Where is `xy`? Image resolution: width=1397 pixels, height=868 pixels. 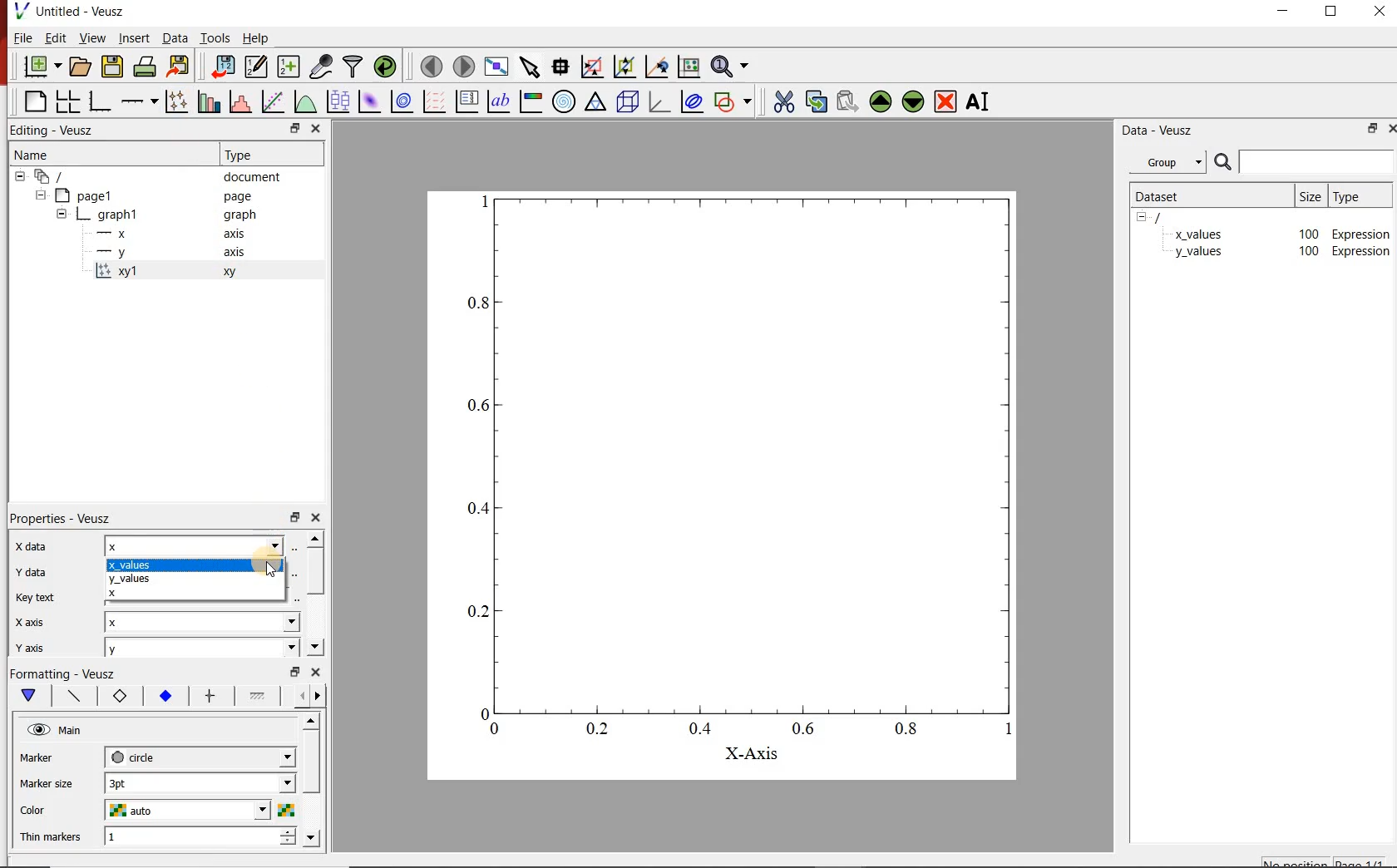
xy is located at coordinates (234, 272).